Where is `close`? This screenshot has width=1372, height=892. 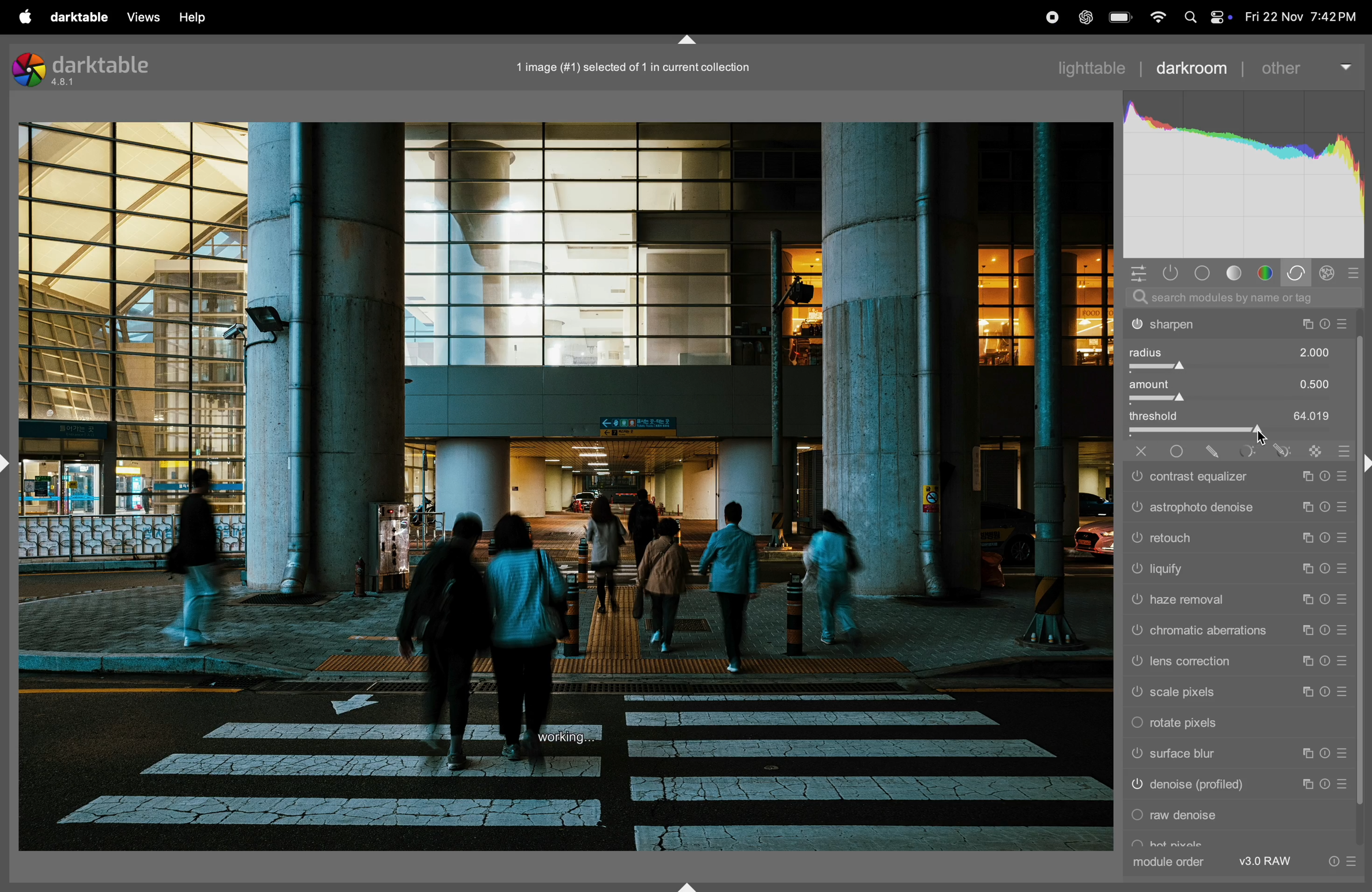
close is located at coordinates (1136, 451).